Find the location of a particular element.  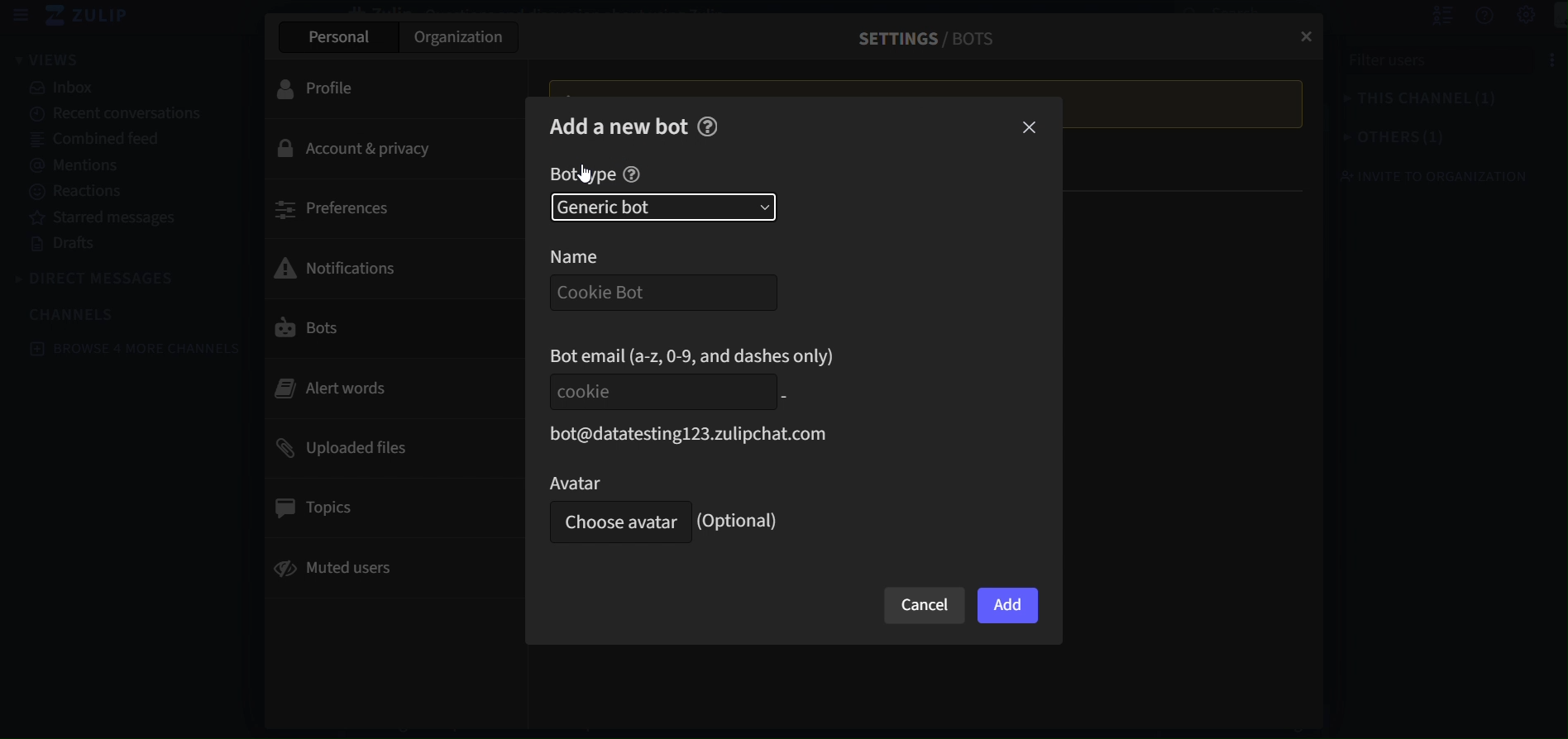

muted users is located at coordinates (380, 570).